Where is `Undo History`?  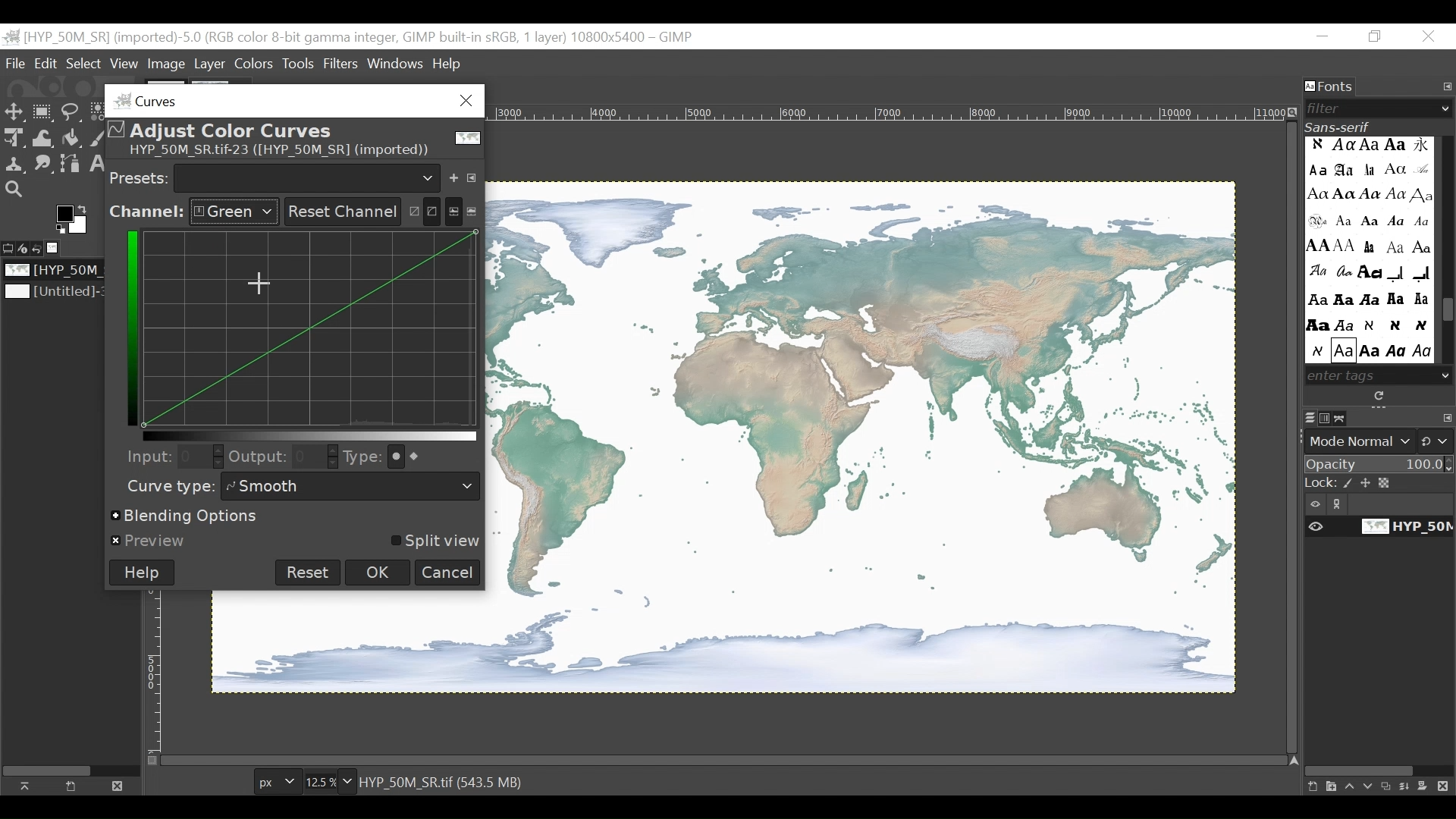 Undo History is located at coordinates (42, 249).